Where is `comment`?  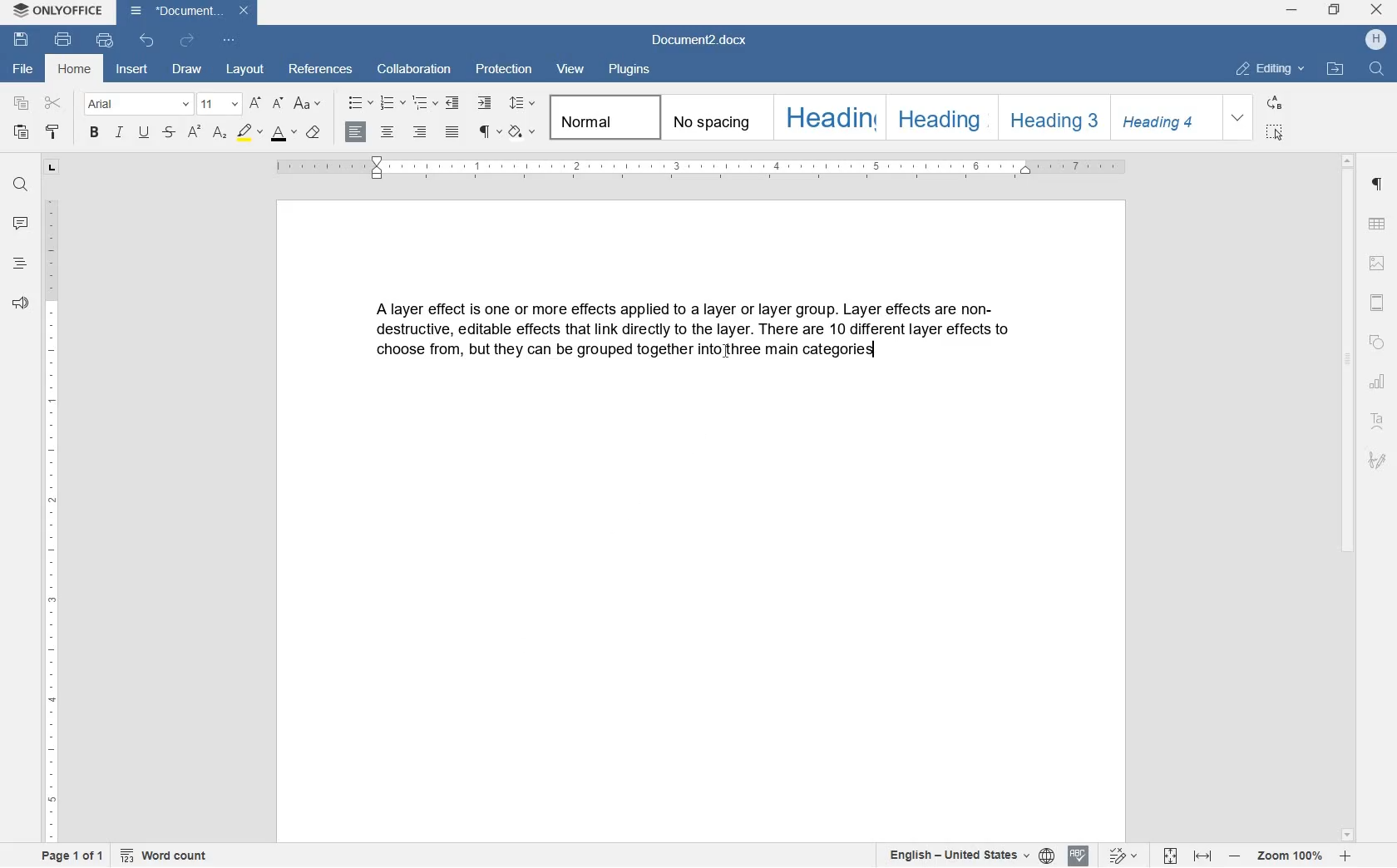 comment is located at coordinates (20, 224).